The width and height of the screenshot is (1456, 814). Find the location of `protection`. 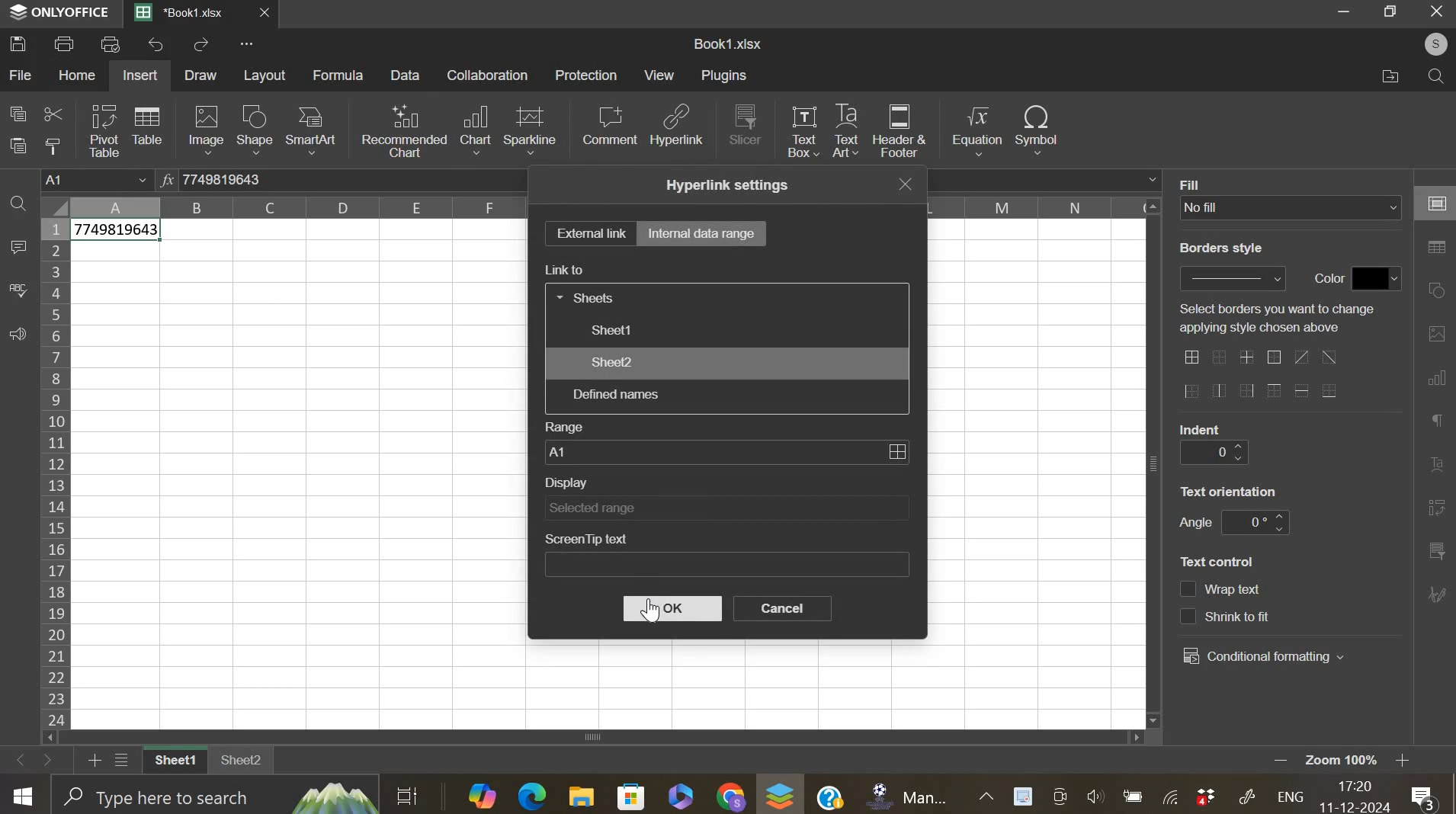

protection is located at coordinates (586, 75).